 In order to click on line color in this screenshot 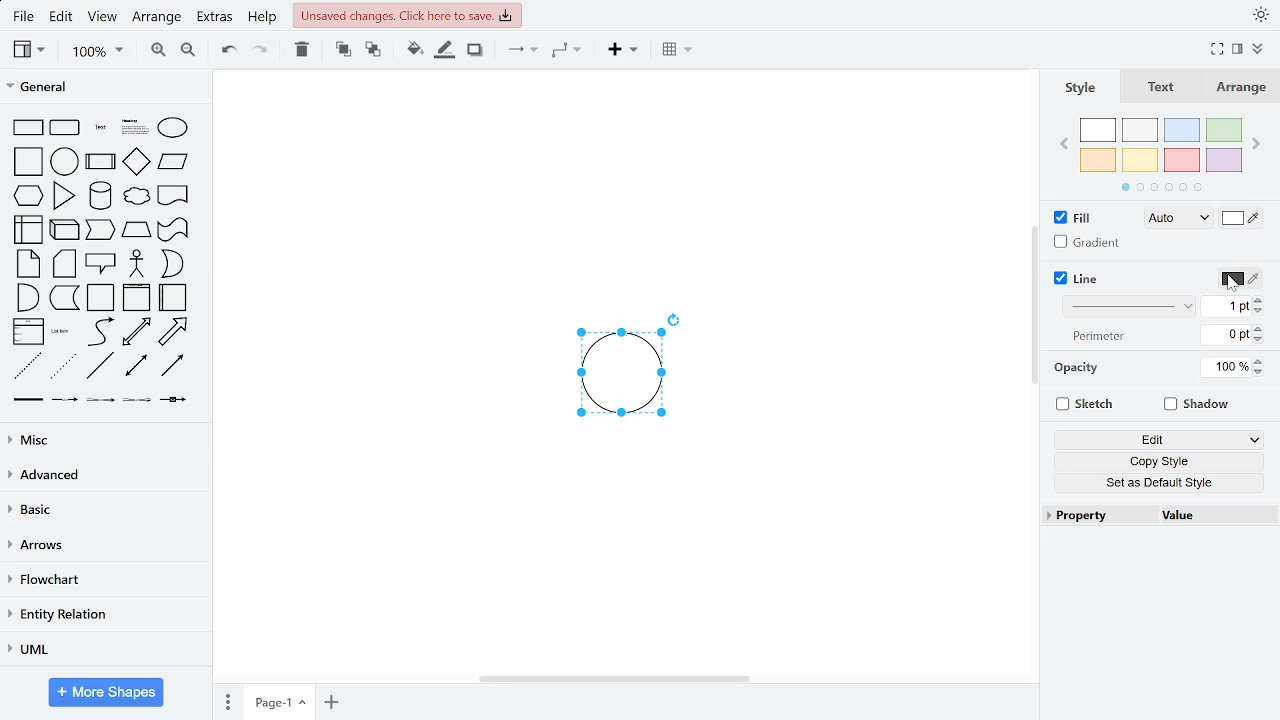, I will do `click(1241, 280)`.